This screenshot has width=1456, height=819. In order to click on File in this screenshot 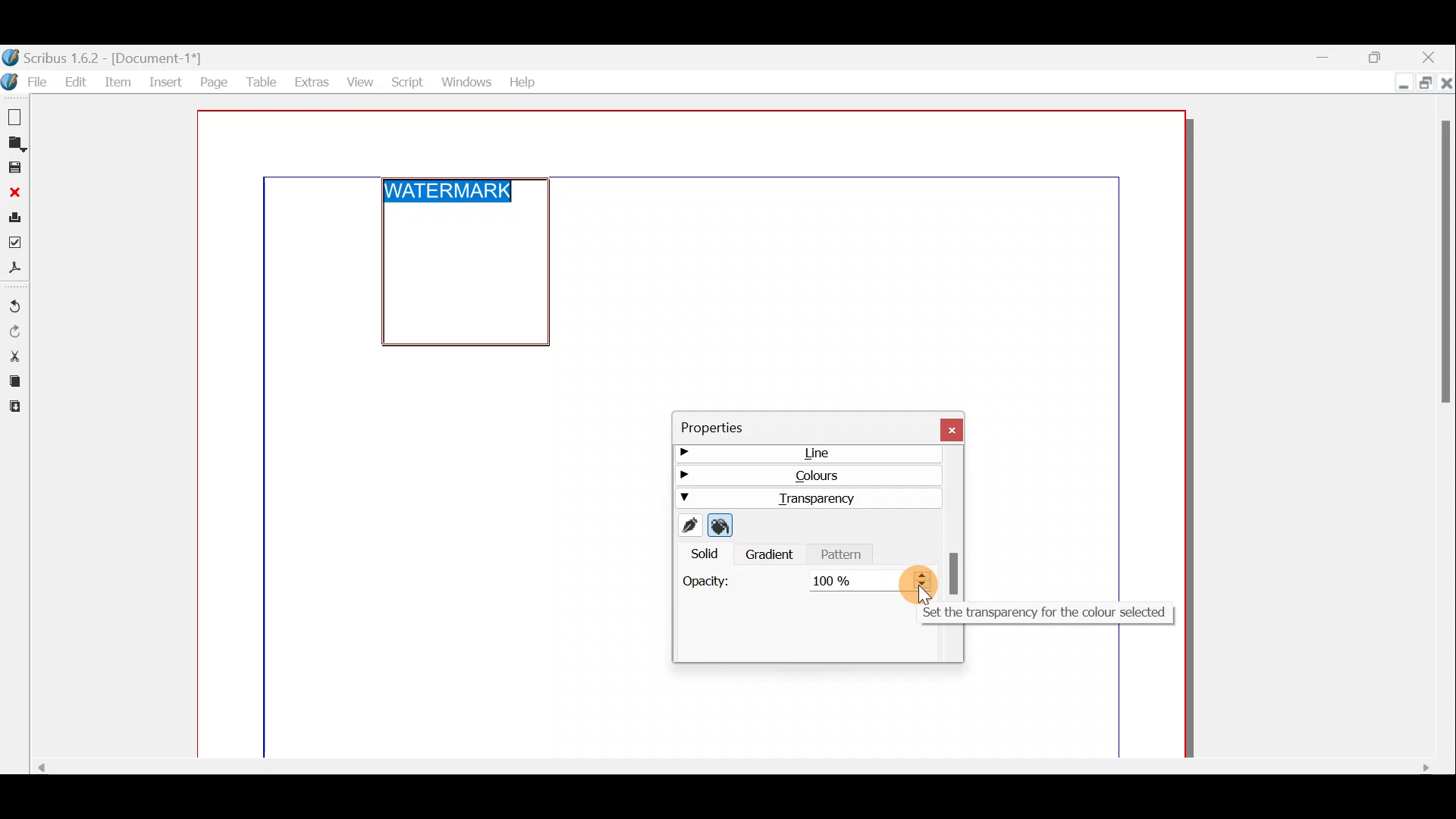, I will do `click(28, 81)`.